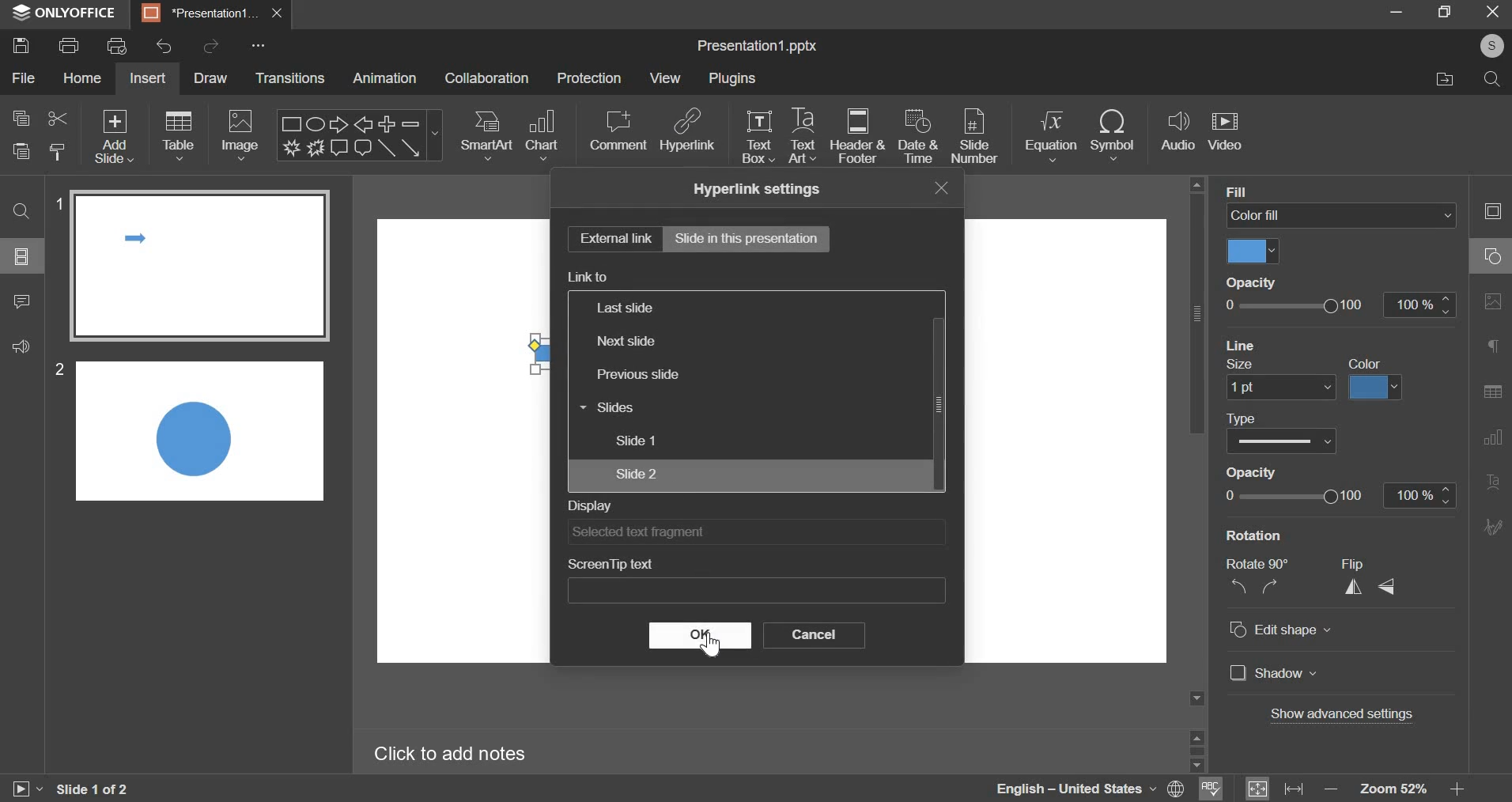 This screenshot has height=802, width=1512. What do you see at coordinates (58, 151) in the screenshot?
I see `copy style` at bounding box center [58, 151].